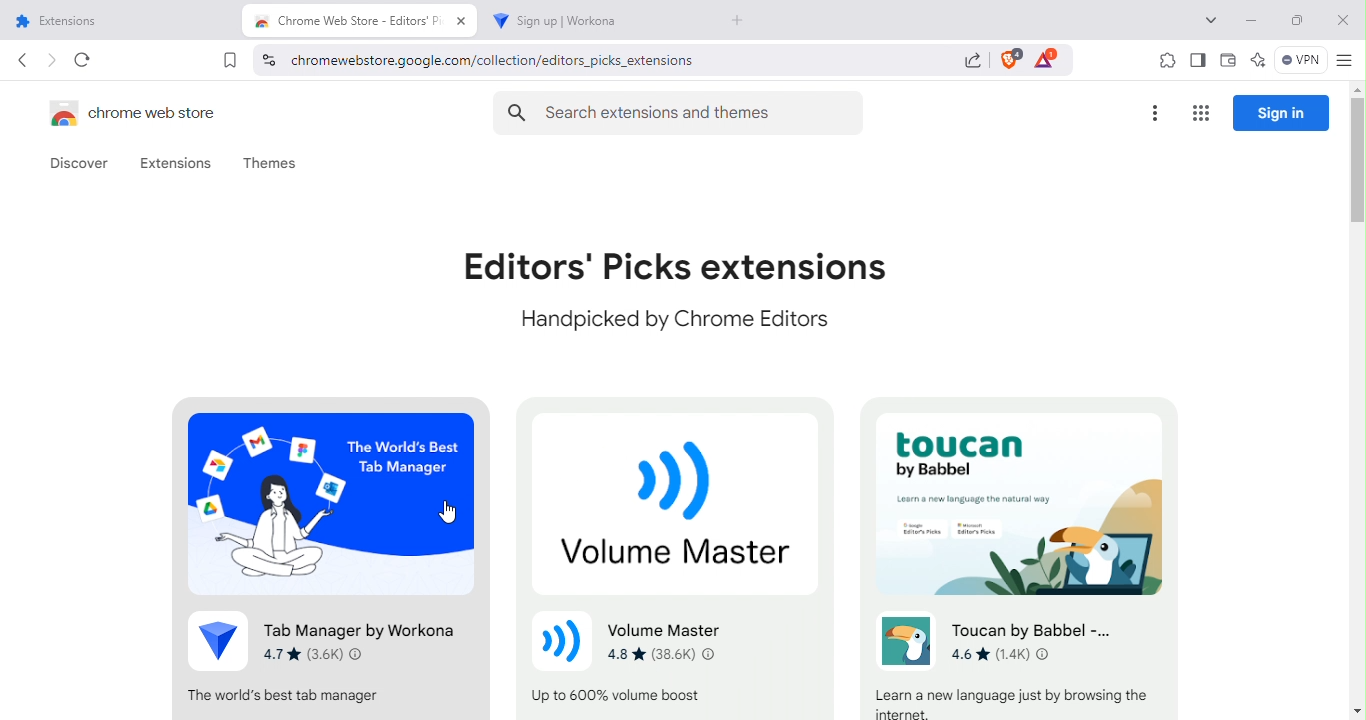 This screenshot has width=1366, height=720. What do you see at coordinates (360, 22) in the screenshot?
I see `Web store tab` at bounding box center [360, 22].